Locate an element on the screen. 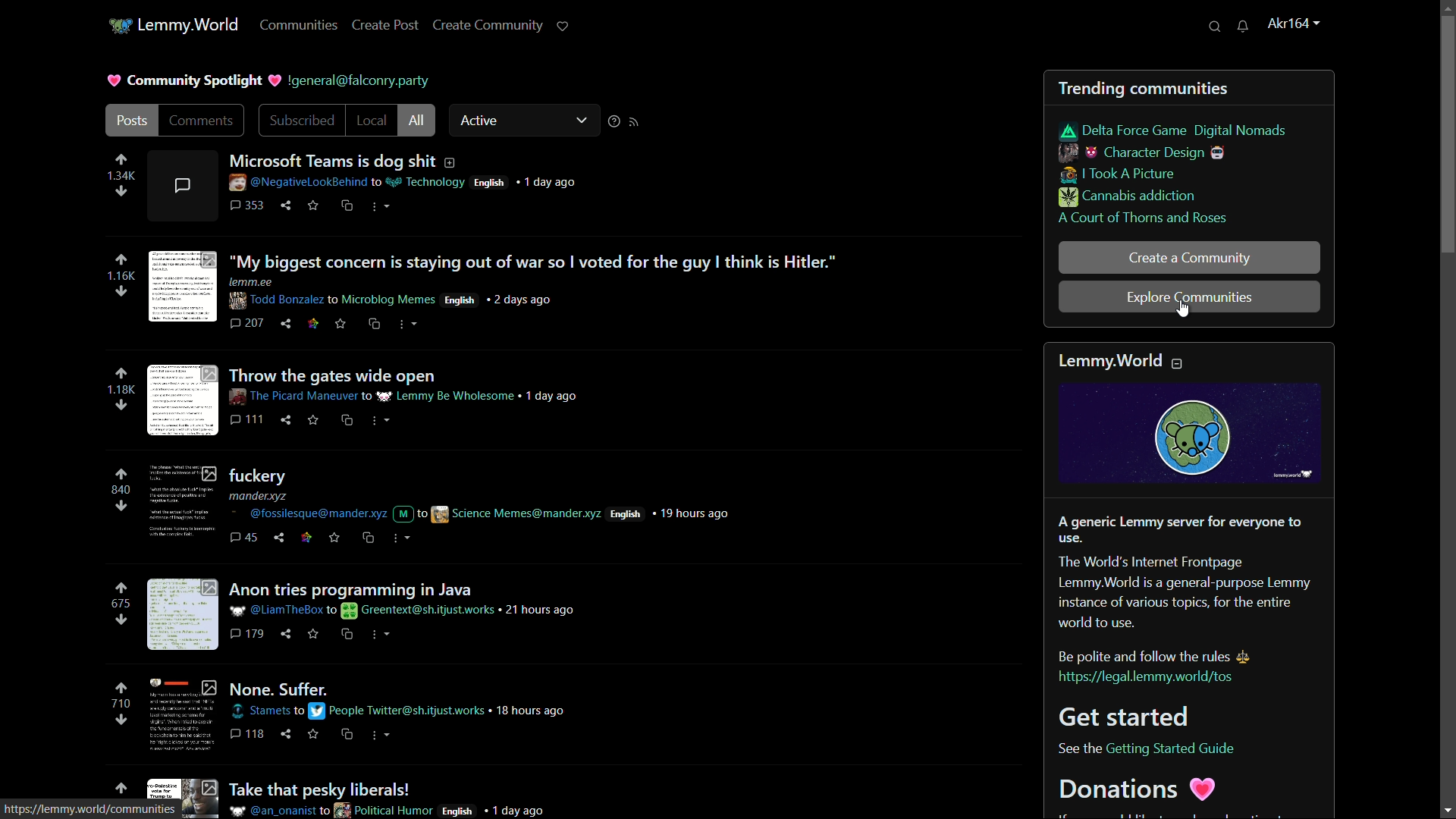 The width and height of the screenshot is (1456, 819). comments is located at coordinates (247, 733).